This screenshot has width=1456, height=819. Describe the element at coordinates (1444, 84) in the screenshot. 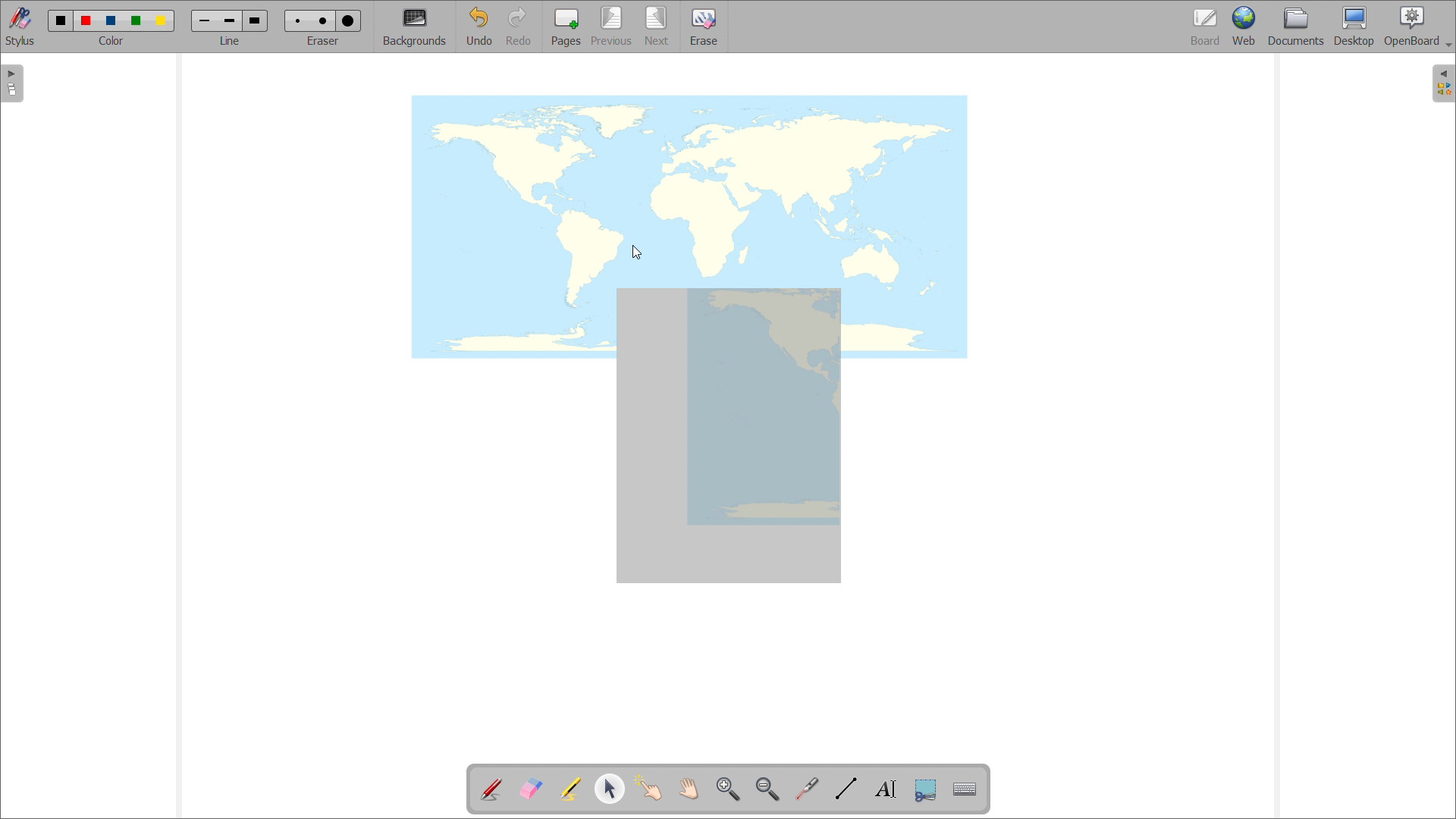

I see `open folder view` at that location.